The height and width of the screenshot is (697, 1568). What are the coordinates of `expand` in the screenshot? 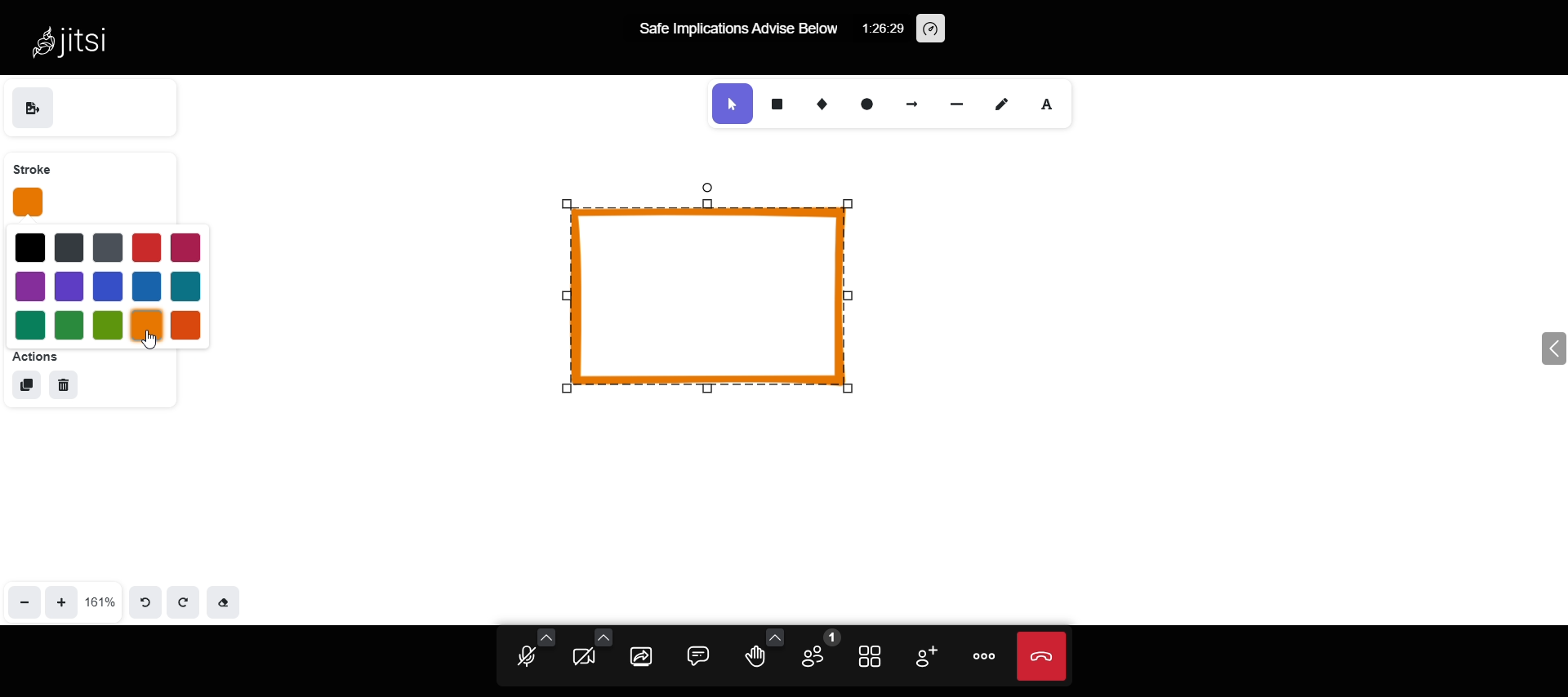 It's located at (1539, 348).